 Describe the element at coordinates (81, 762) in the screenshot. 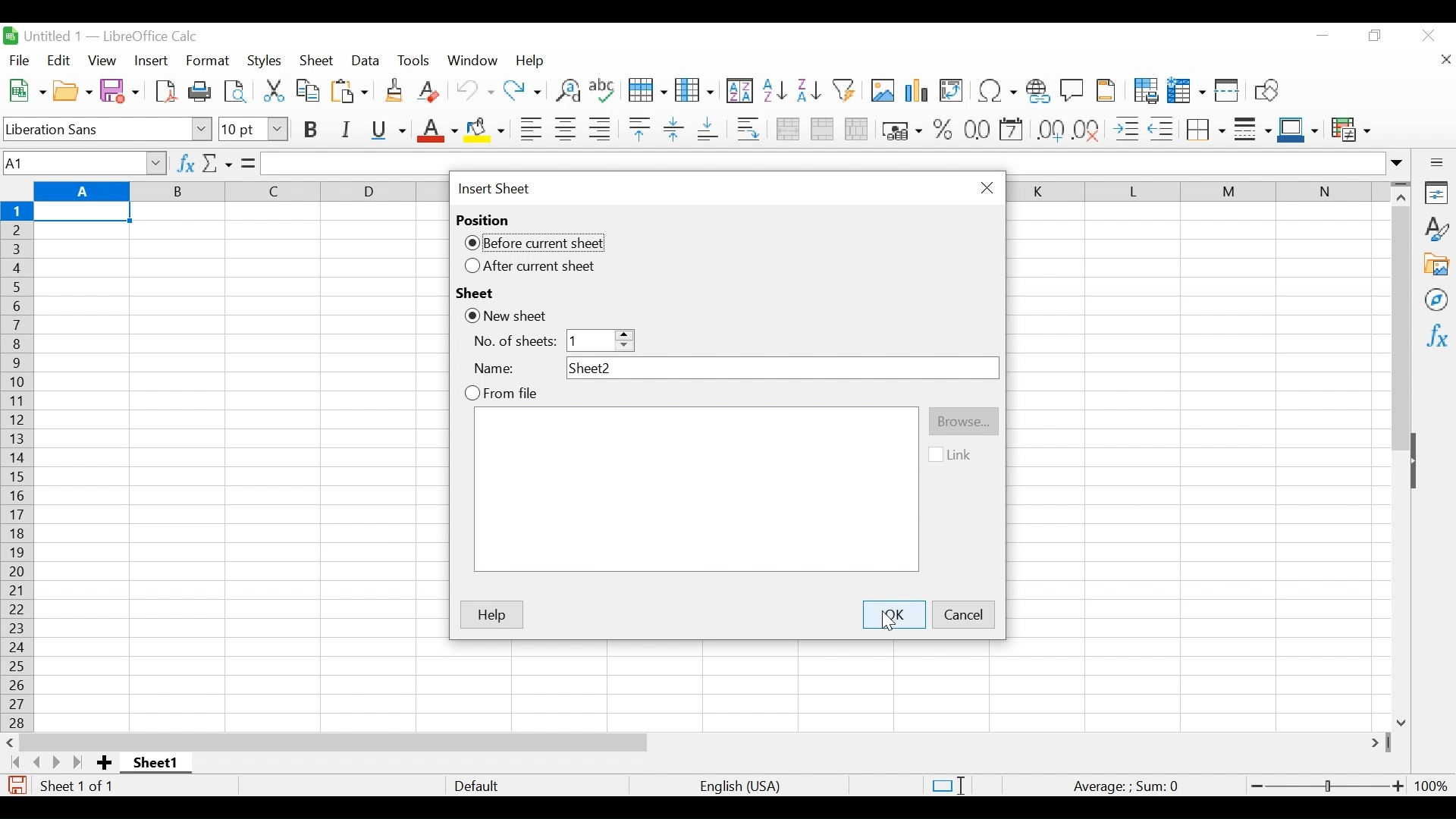

I see `Scroll to the last page` at that location.